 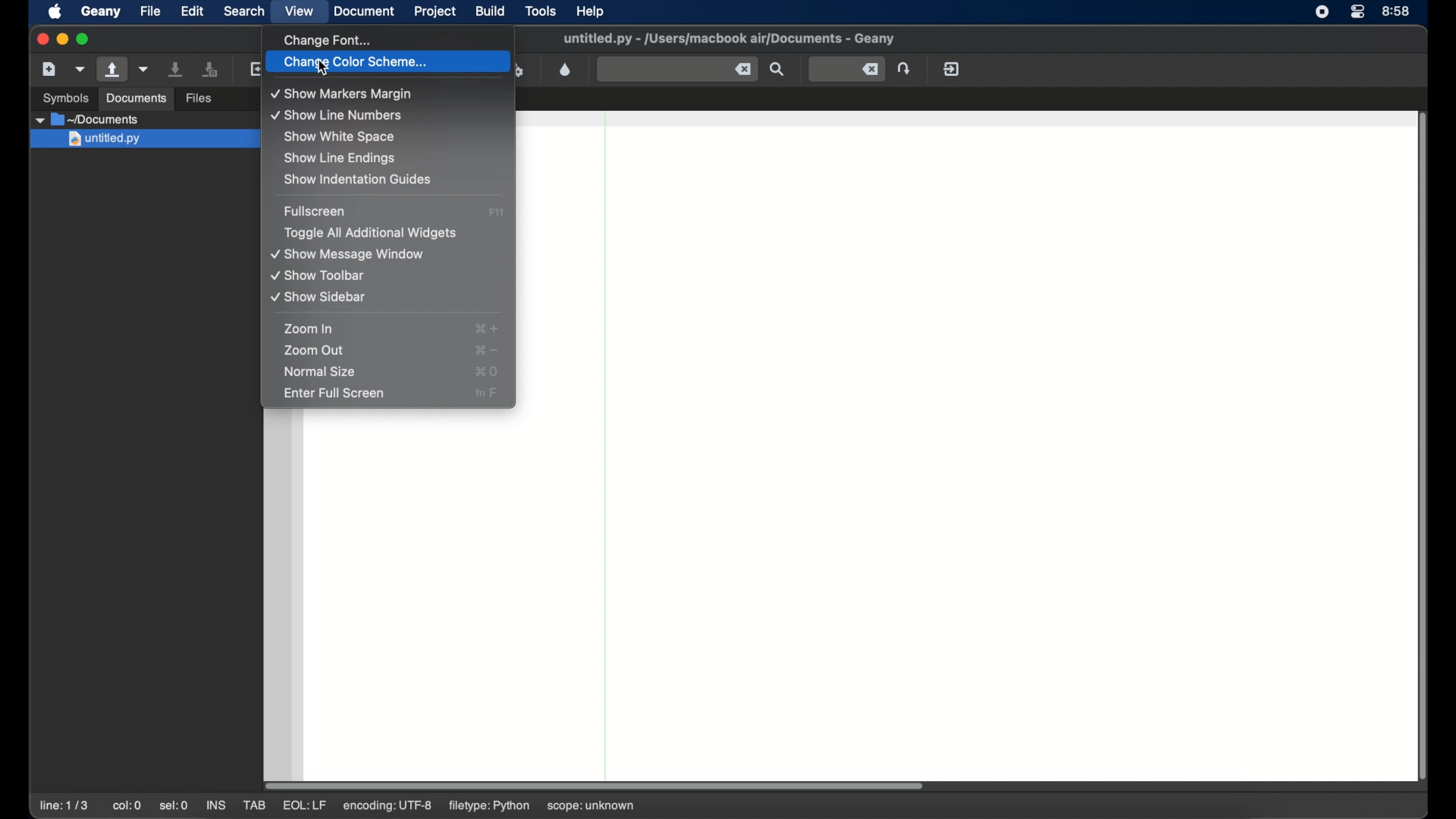 I want to click on search, so click(x=244, y=11).